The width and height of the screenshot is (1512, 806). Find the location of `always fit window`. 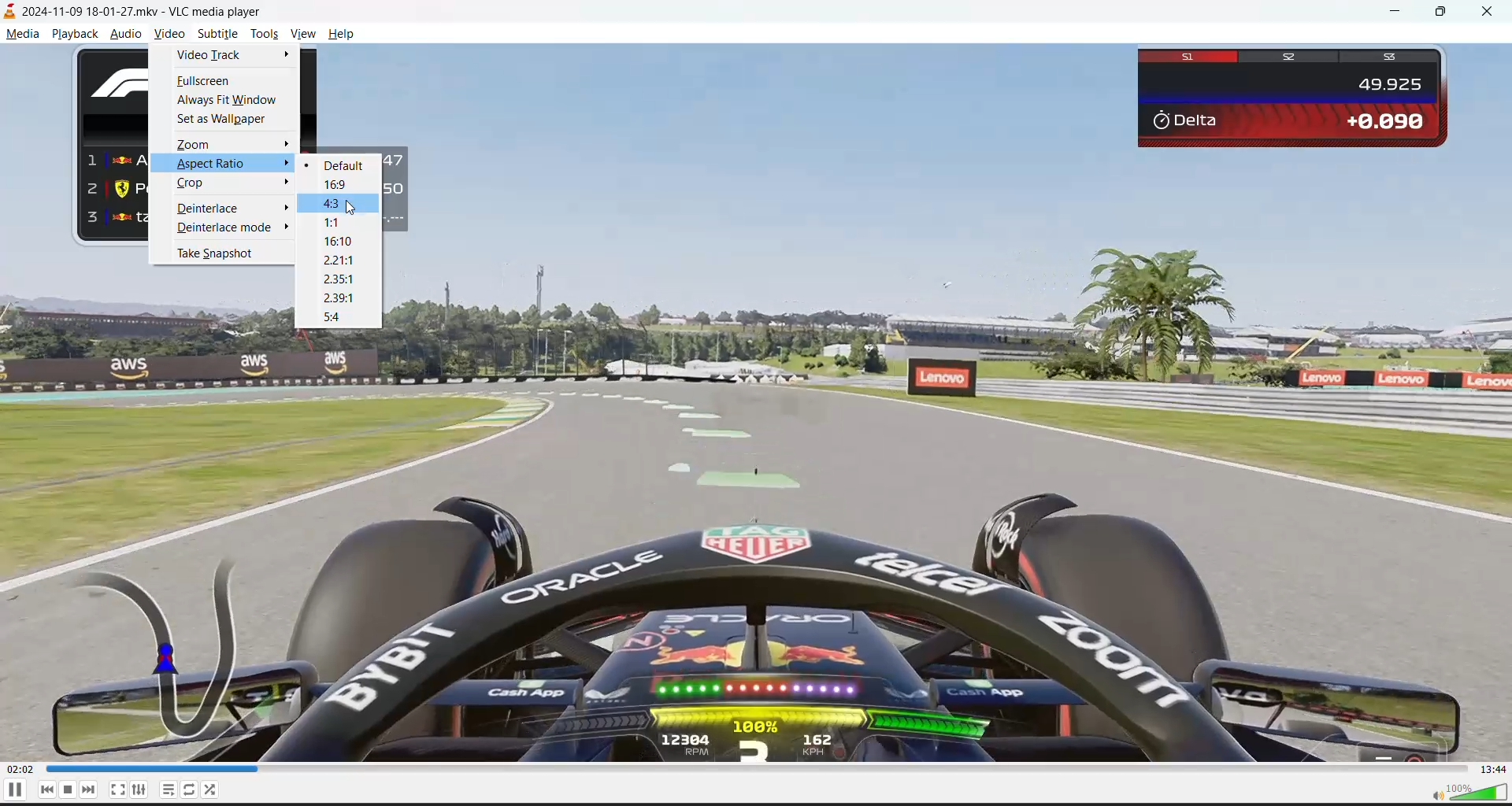

always fit window is located at coordinates (231, 102).